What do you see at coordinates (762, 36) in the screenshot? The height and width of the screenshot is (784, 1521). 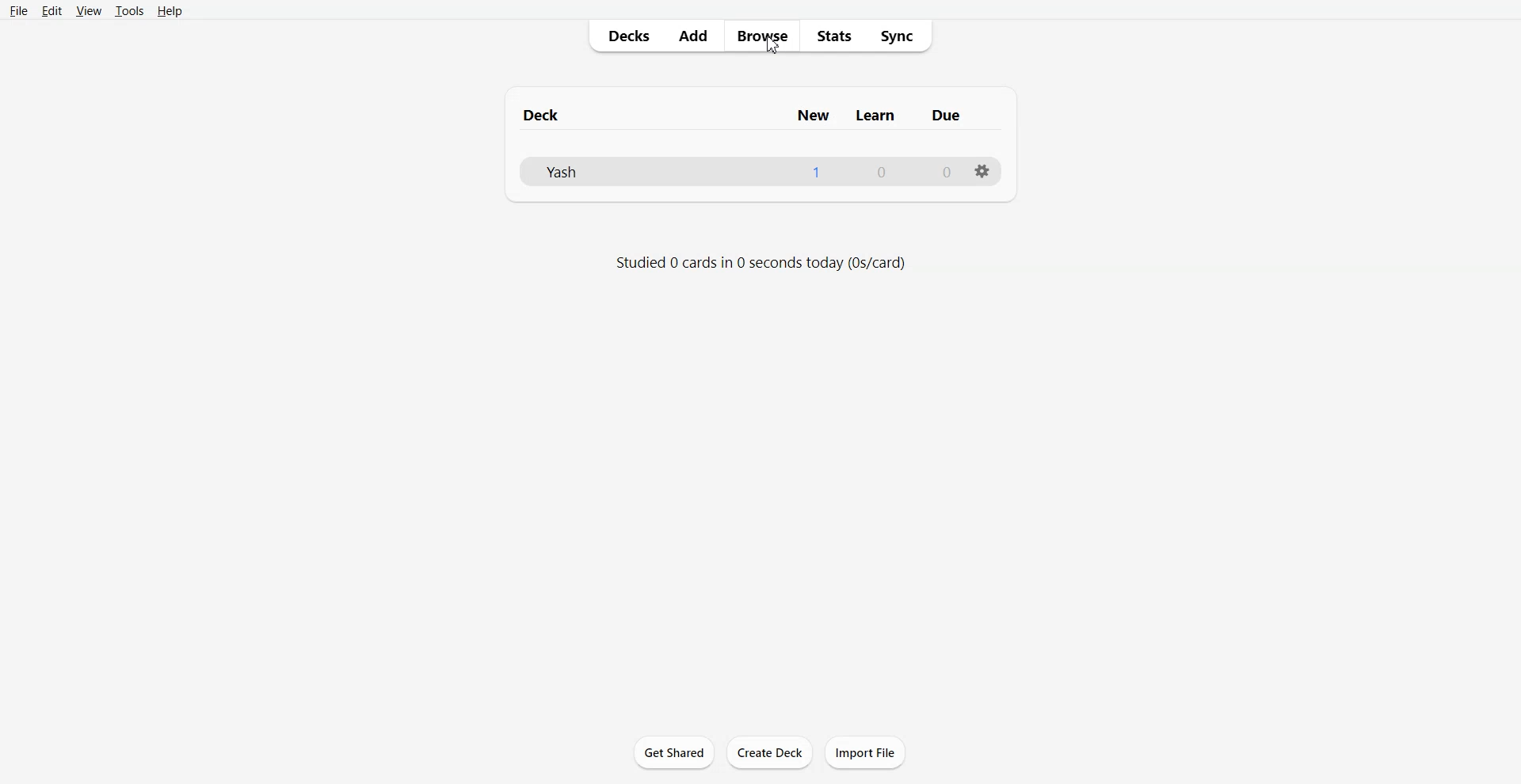 I see `Browse` at bounding box center [762, 36].